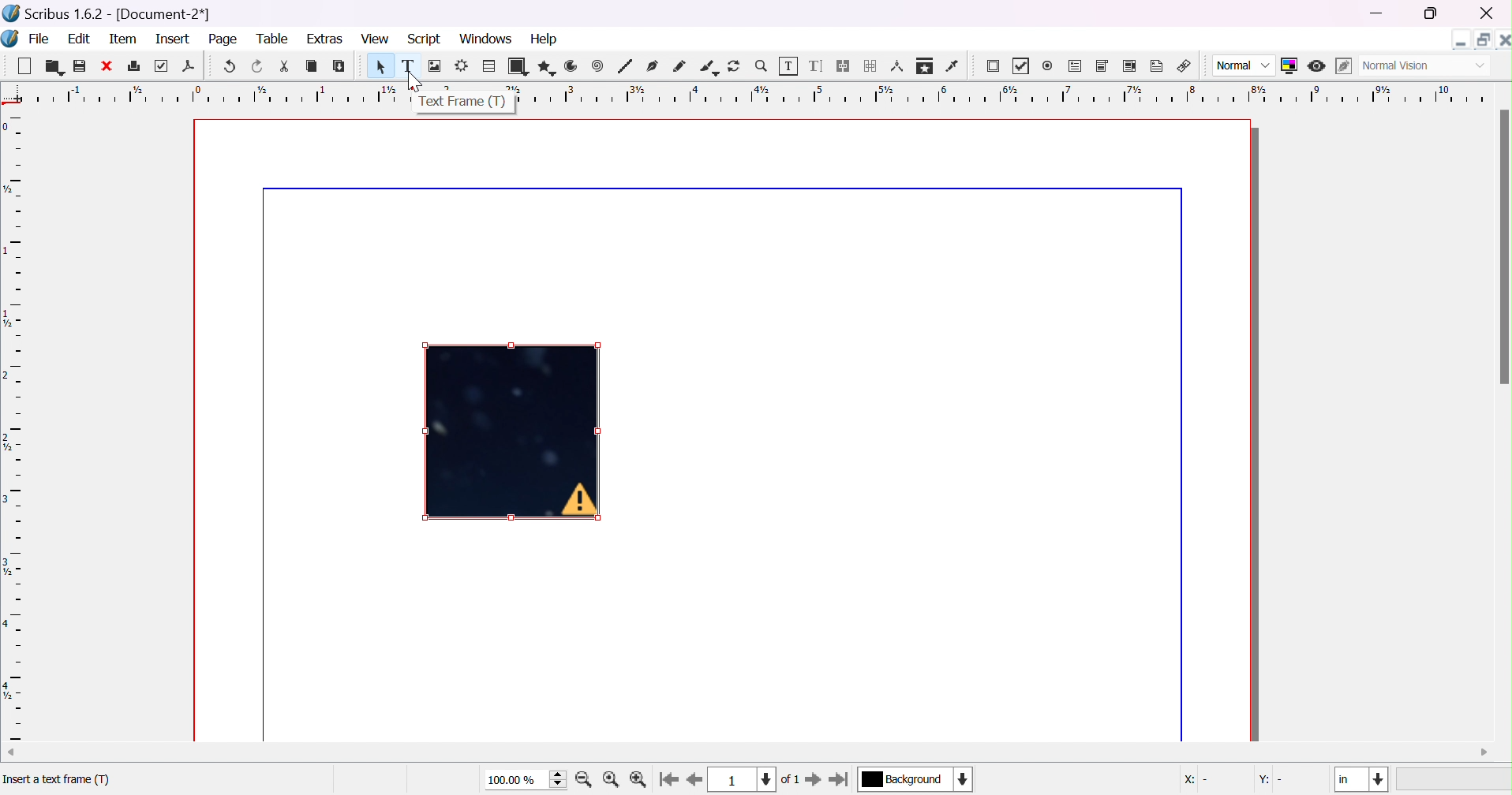  What do you see at coordinates (916, 778) in the screenshot?
I see `current layer` at bounding box center [916, 778].